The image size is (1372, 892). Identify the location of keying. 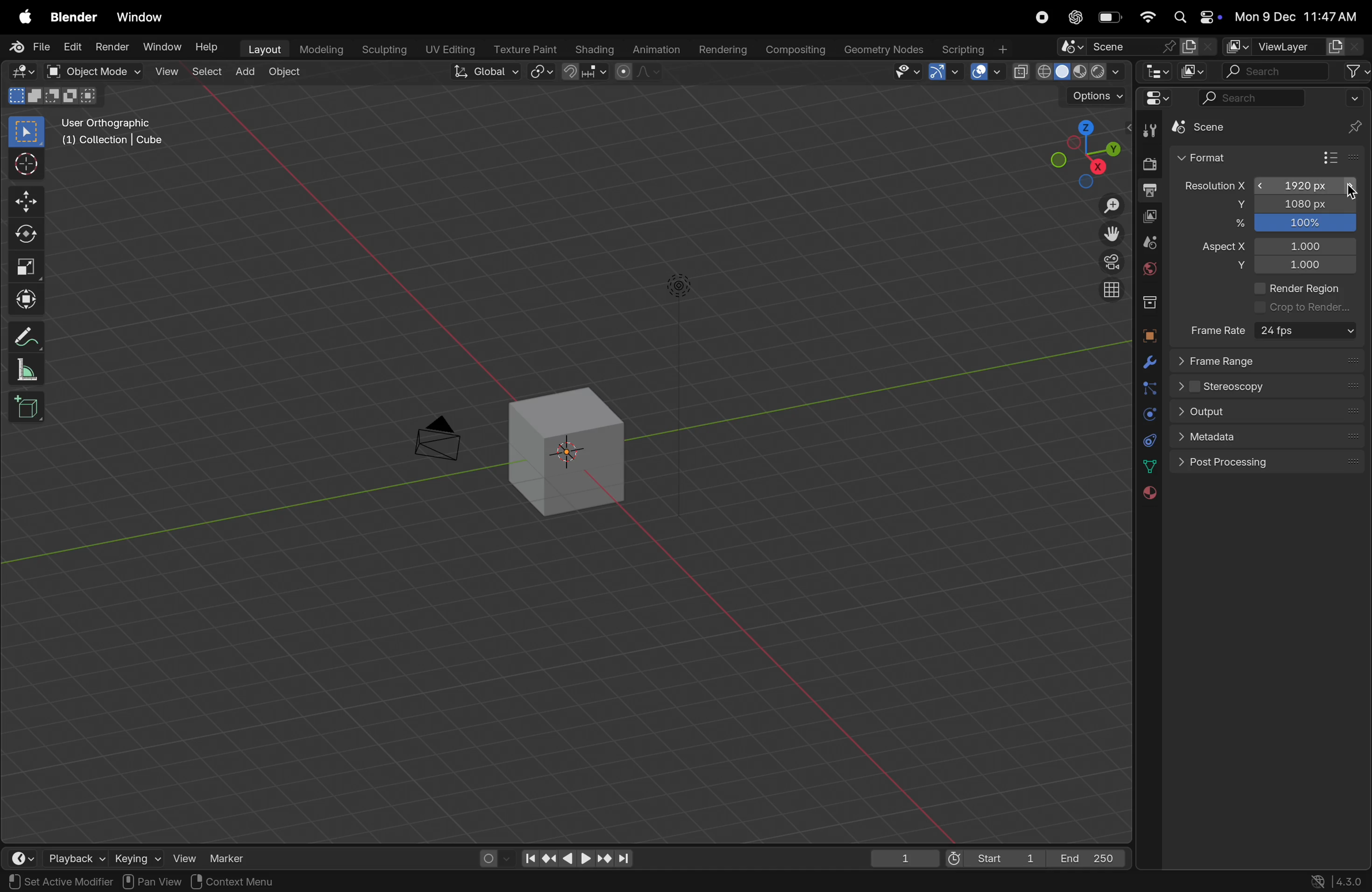
(137, 857).